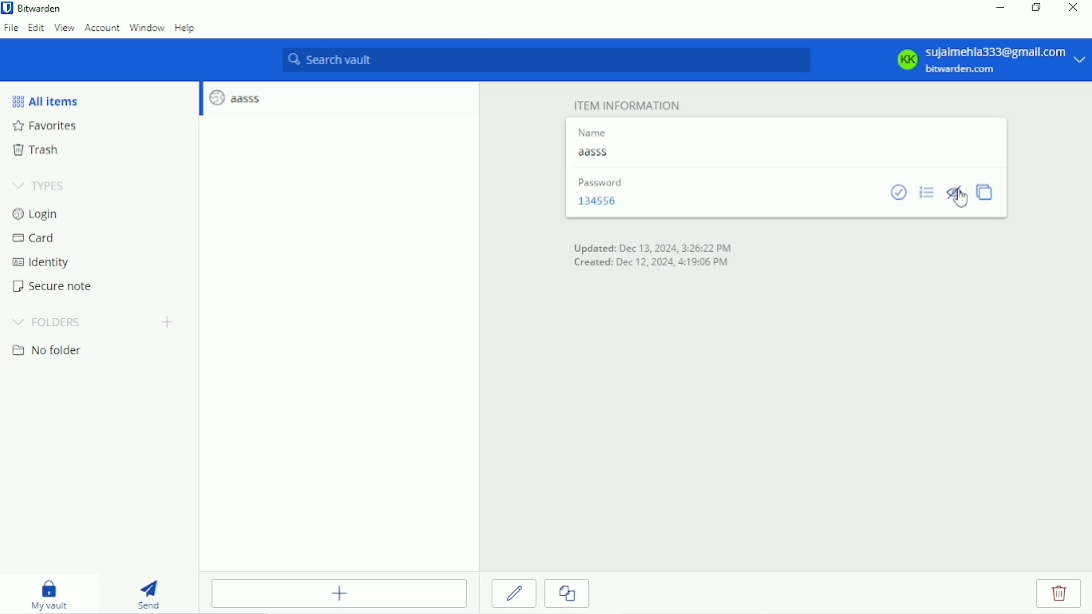 This screenshot has height=614, width=1092. I want to click on Types, so click(39, 185).